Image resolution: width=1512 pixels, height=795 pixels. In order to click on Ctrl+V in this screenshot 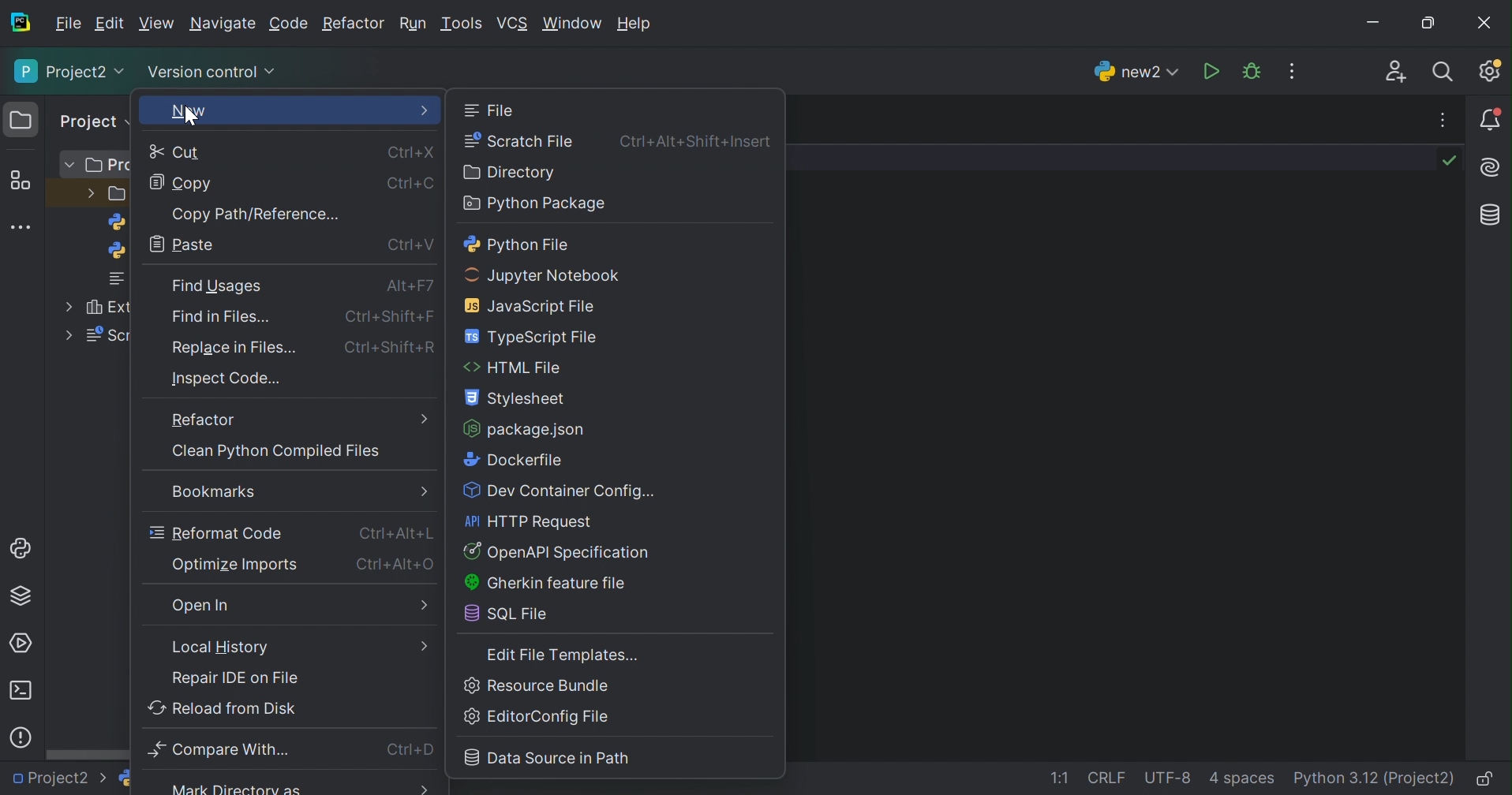, I will do `click(412, 244)`.